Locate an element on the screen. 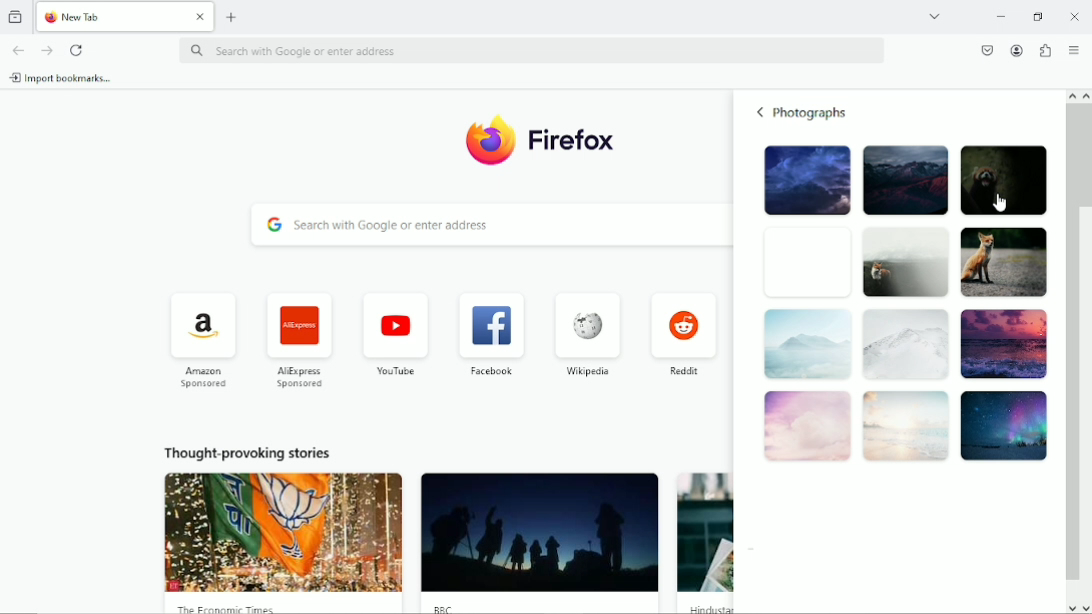 The width and height of the screenshot is (1092, 614). Photographs is located at coordinates (813, 113).